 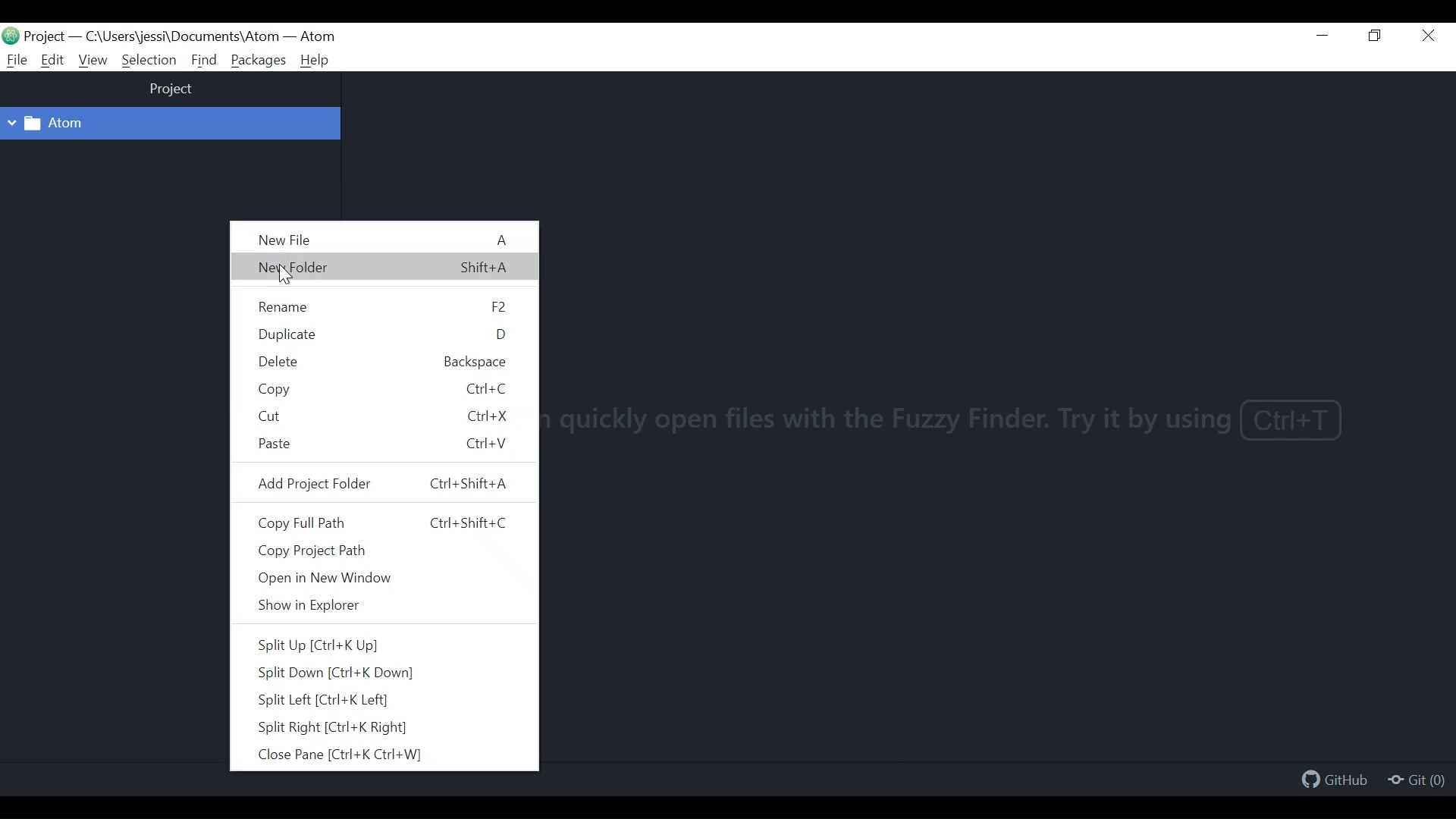 What do you see at coordinates (317, 37) in the screenshot?
I see `Atom` at bounding box center [317, 37].